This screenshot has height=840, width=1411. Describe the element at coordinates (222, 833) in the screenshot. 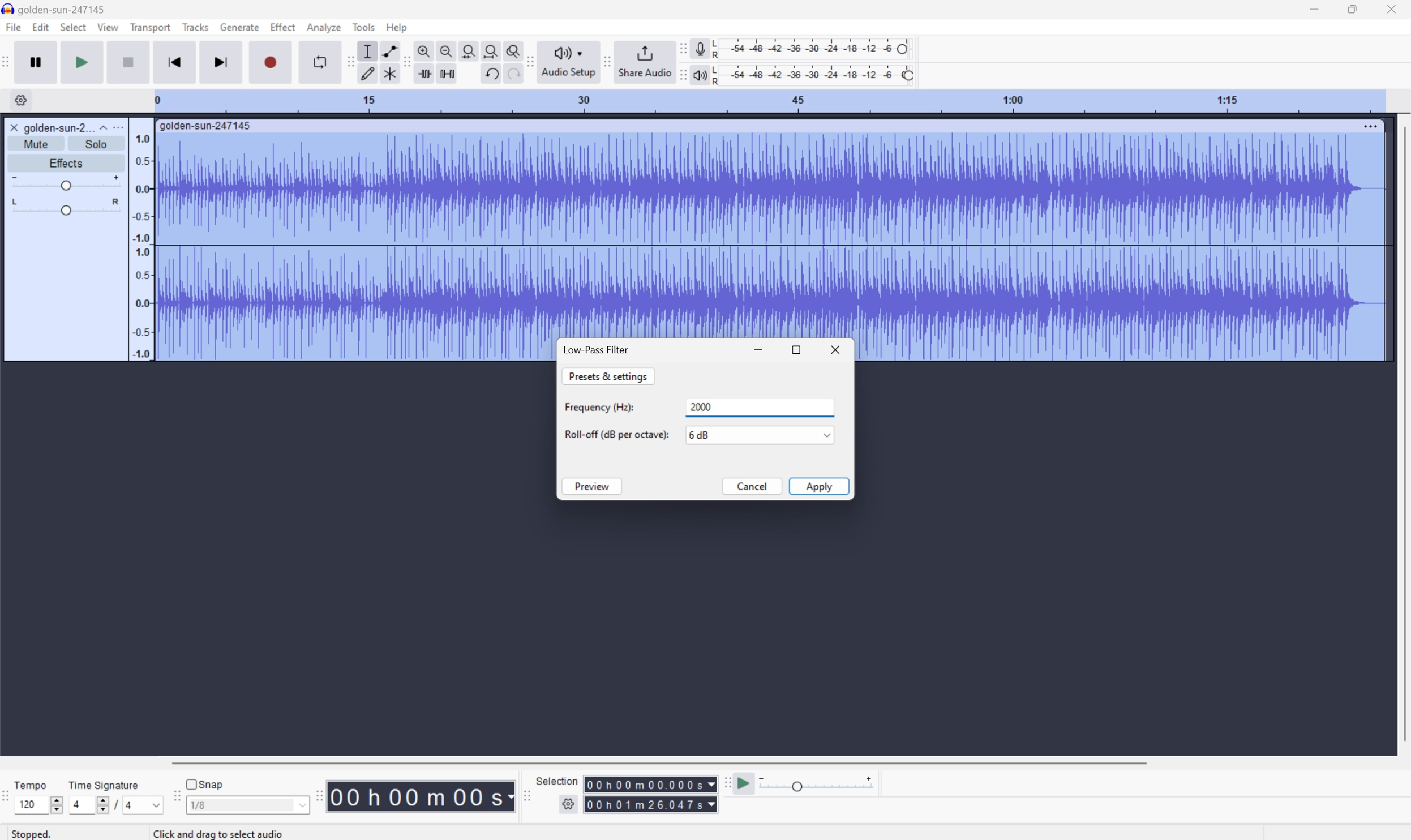

I see `` at that location.